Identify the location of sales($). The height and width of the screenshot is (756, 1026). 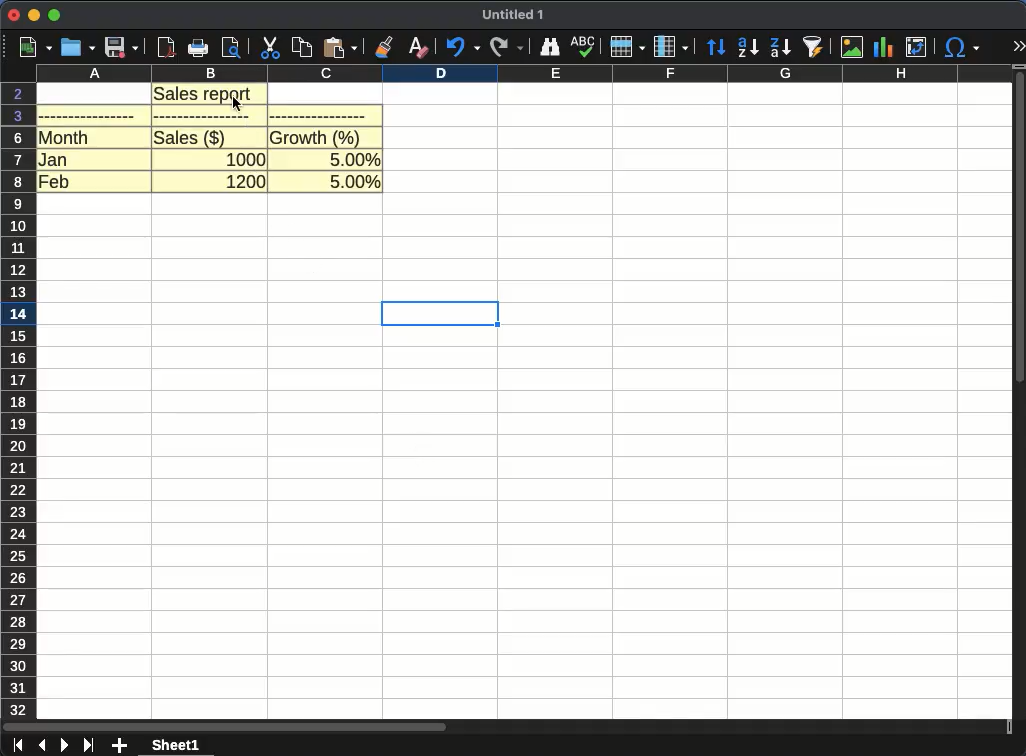
(190, 137).